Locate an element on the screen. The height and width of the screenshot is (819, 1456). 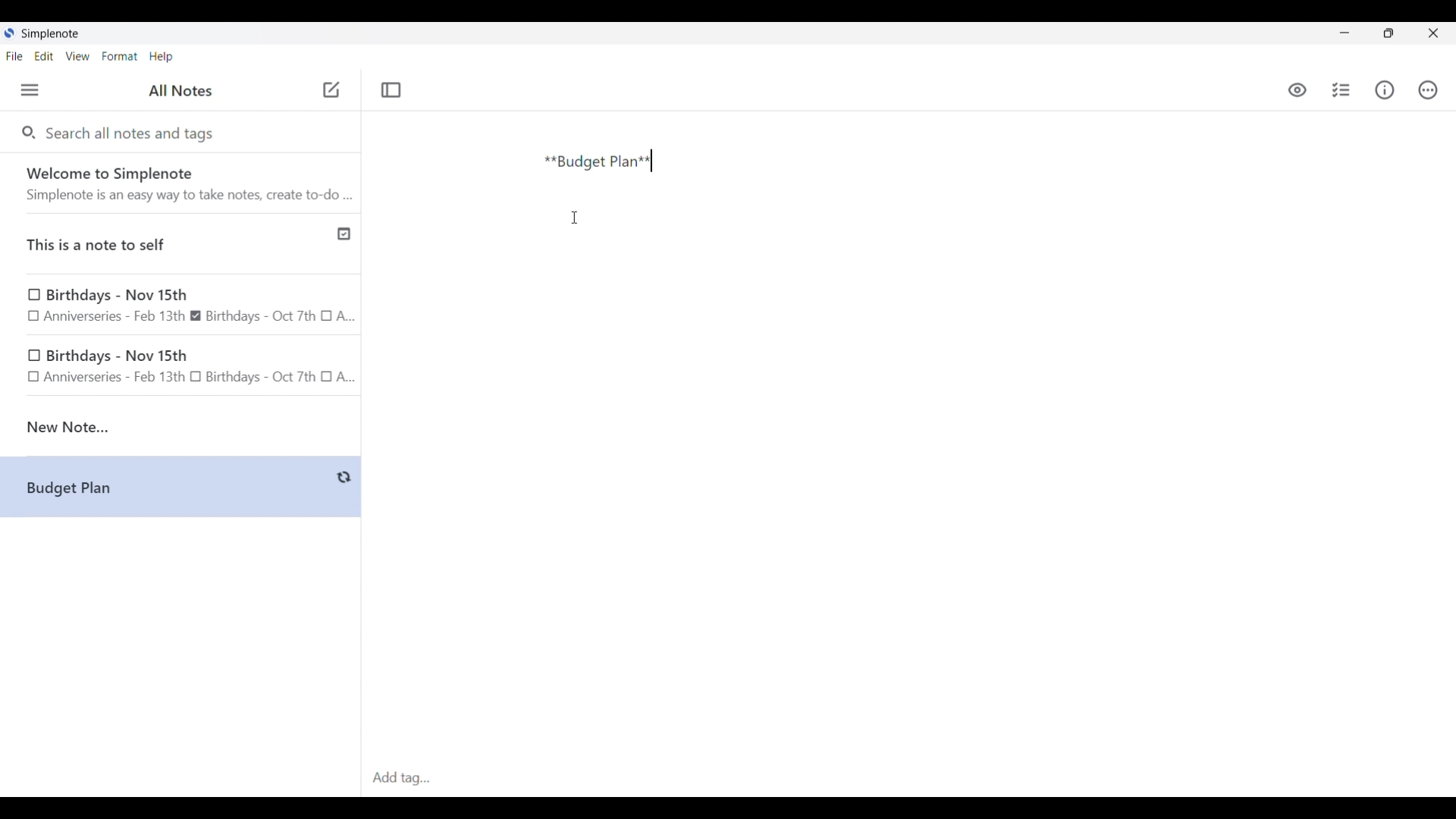
Show interface in a smaller tab is located at coordinates (1389, 33).